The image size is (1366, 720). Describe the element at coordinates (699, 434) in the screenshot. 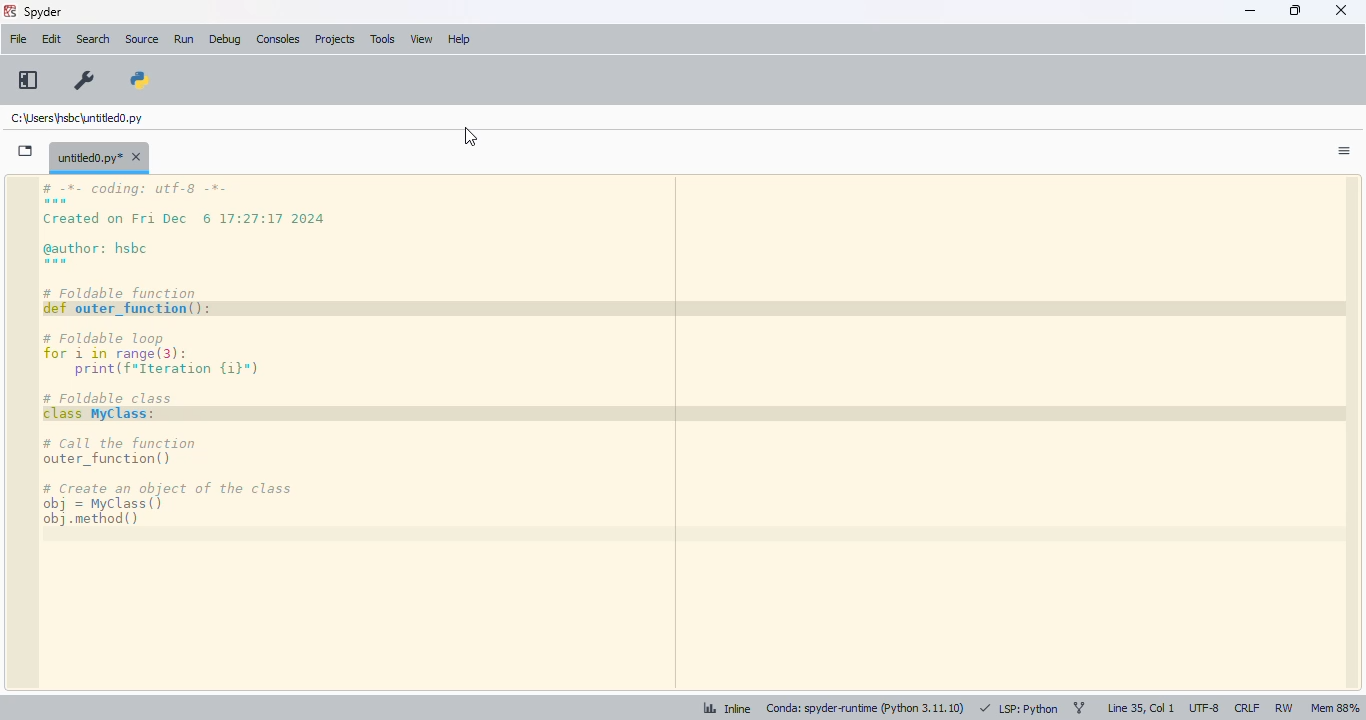

I see `editor` at that location.